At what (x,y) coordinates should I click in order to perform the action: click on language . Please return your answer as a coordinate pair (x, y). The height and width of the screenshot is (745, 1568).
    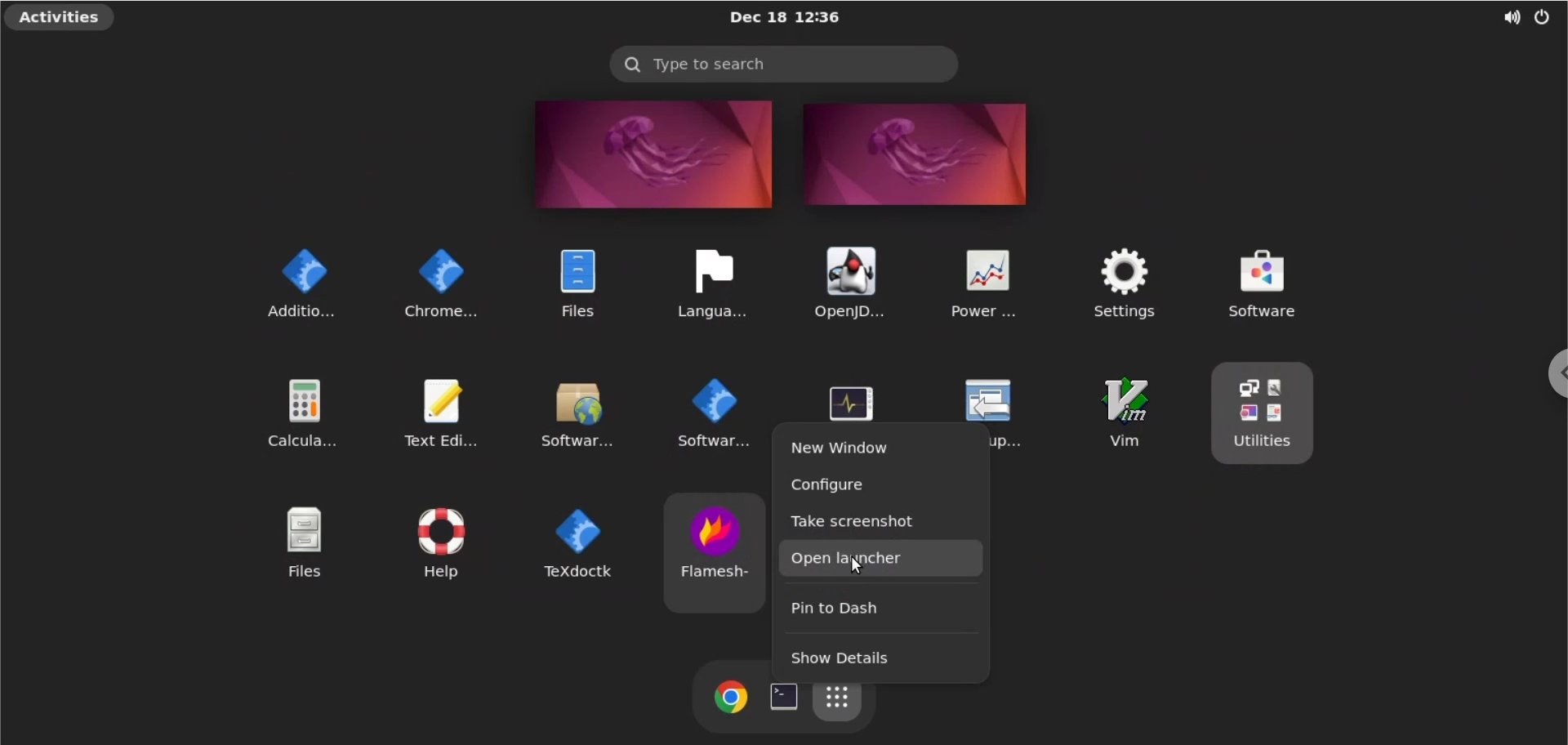
    Looking at the image, I should click on (709, 279).